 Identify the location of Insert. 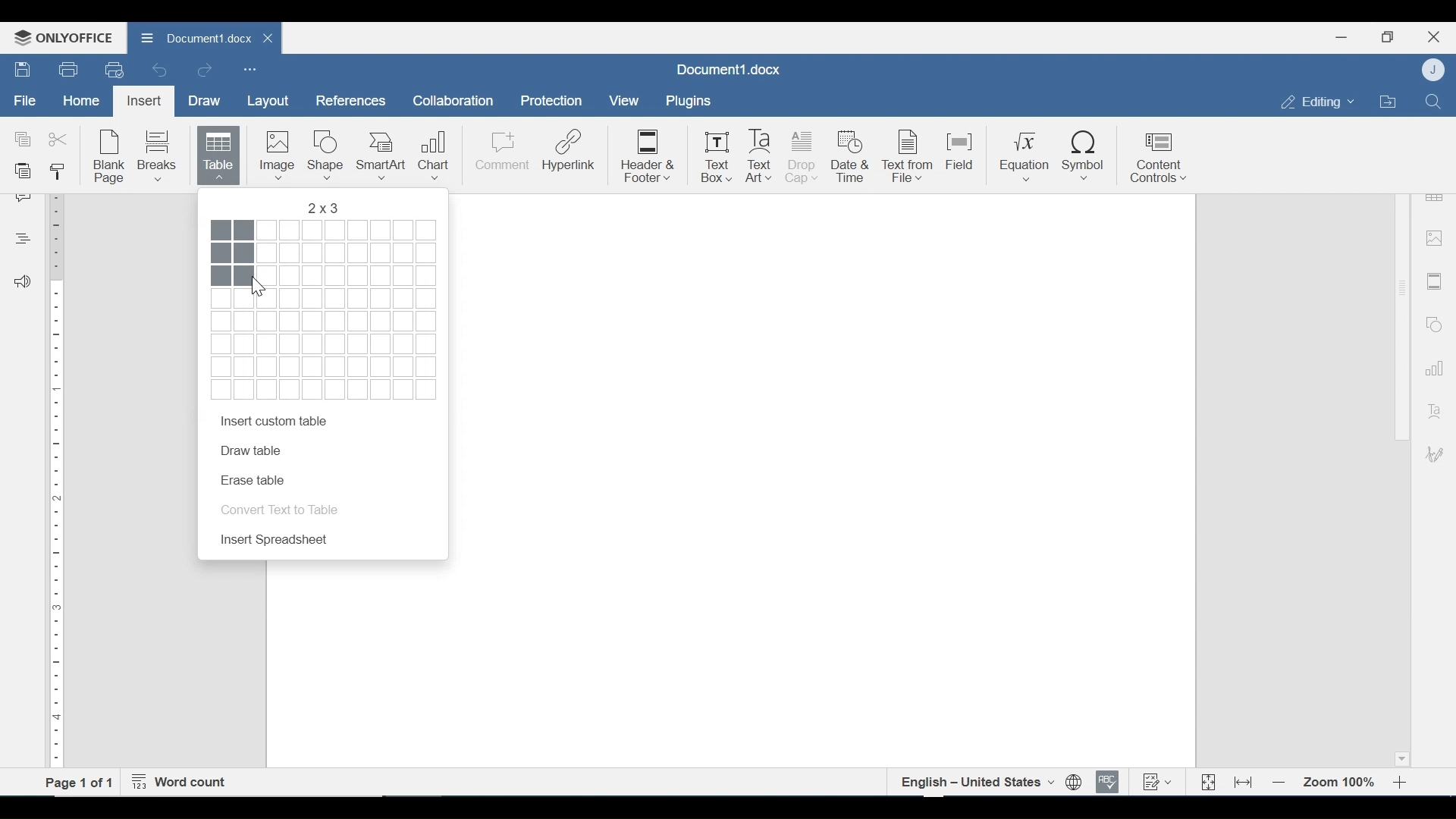
(143, 101).